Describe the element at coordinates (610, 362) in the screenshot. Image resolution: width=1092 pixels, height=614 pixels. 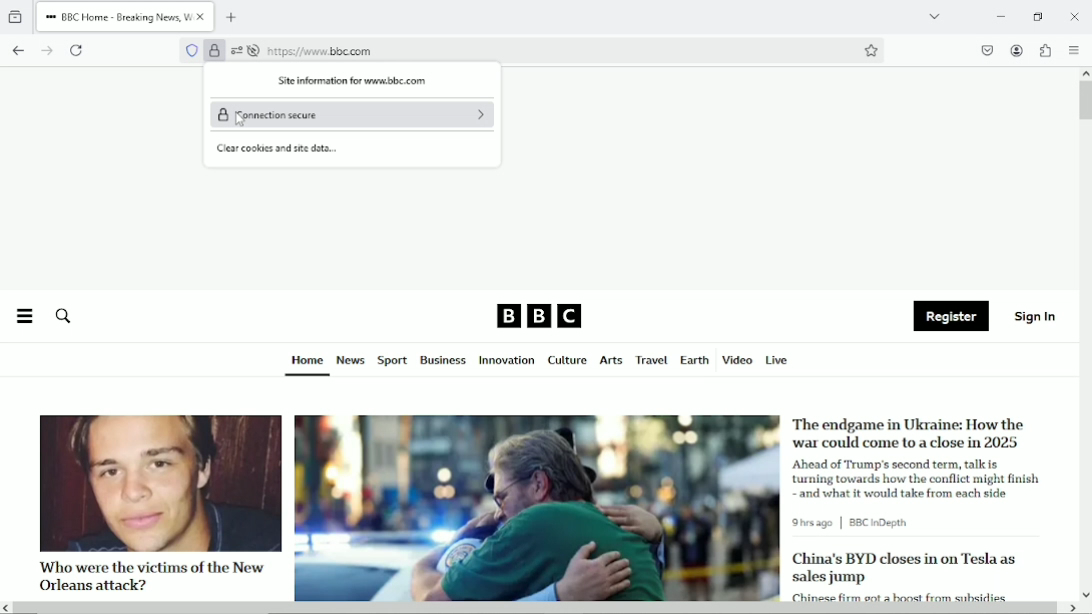
I see `Arts` at that location.